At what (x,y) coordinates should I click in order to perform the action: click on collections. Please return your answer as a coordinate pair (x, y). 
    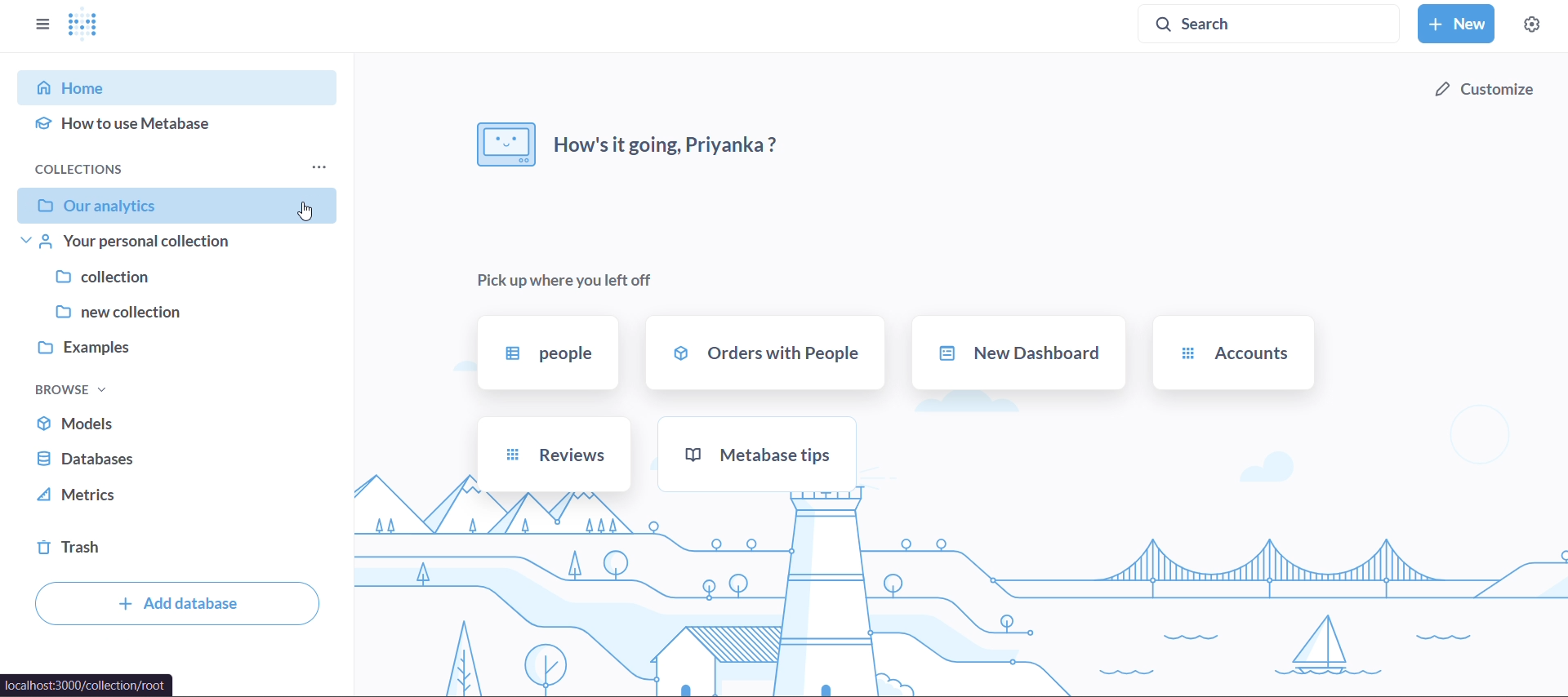
    Looking at the image, I should click on (172, 168).